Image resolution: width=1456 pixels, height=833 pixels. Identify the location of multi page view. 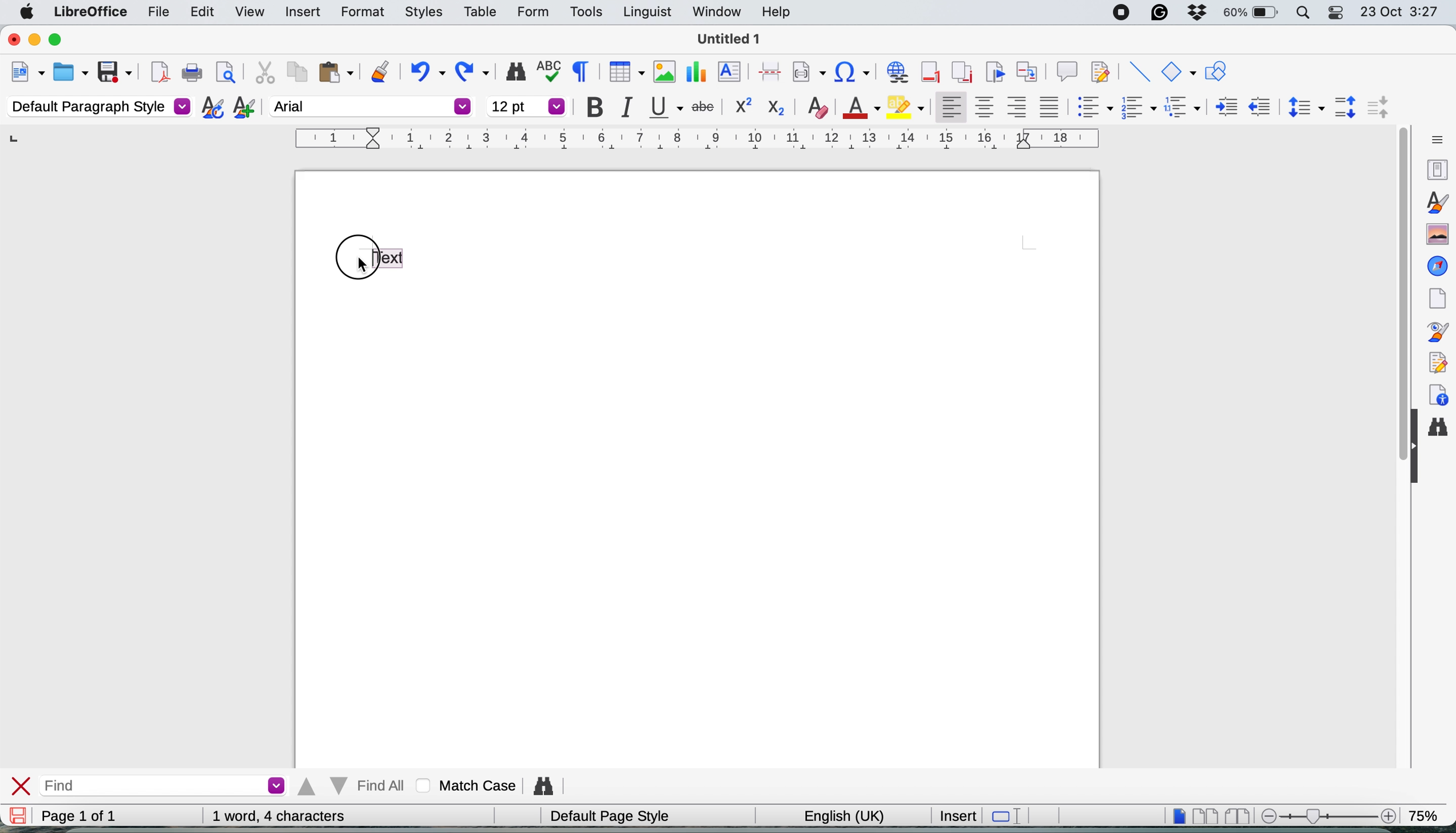
(1204, 815).